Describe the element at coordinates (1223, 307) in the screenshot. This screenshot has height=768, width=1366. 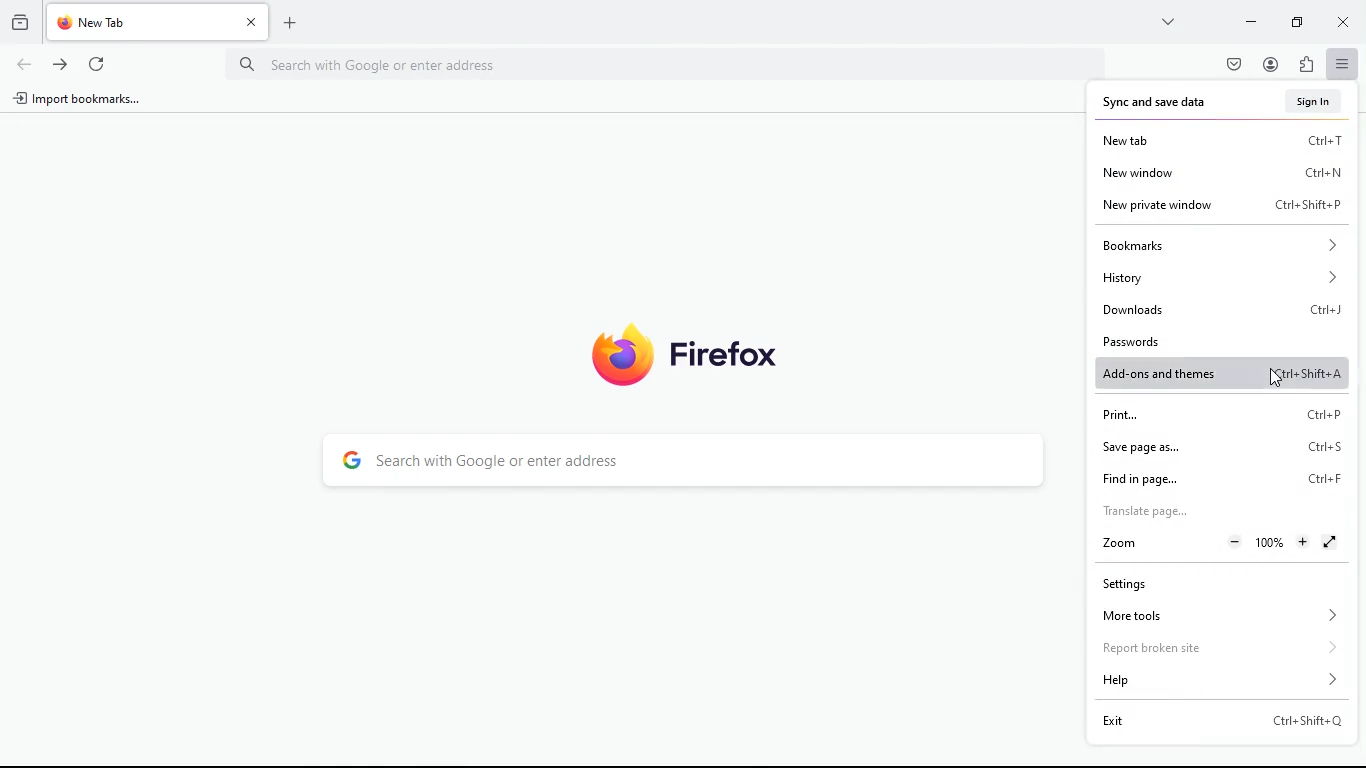
I see `downloads` at that location.